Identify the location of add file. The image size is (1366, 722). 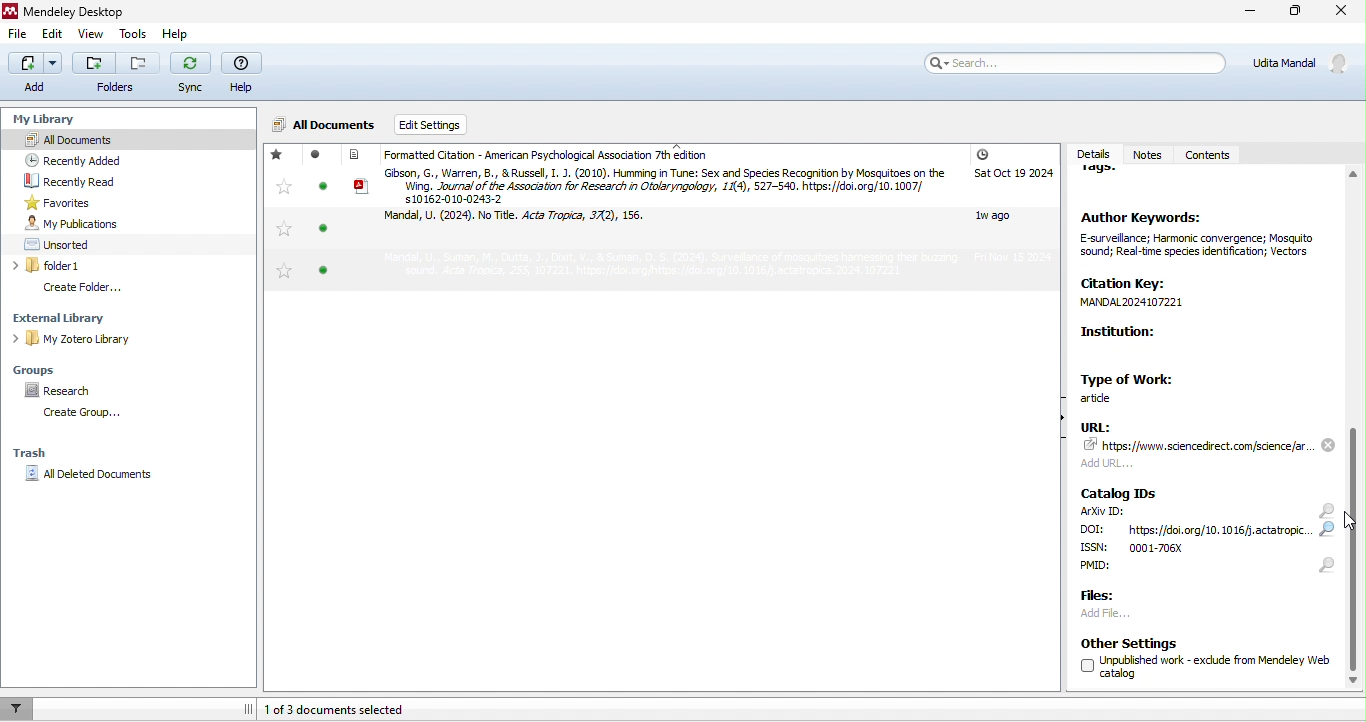
(1128, 620).